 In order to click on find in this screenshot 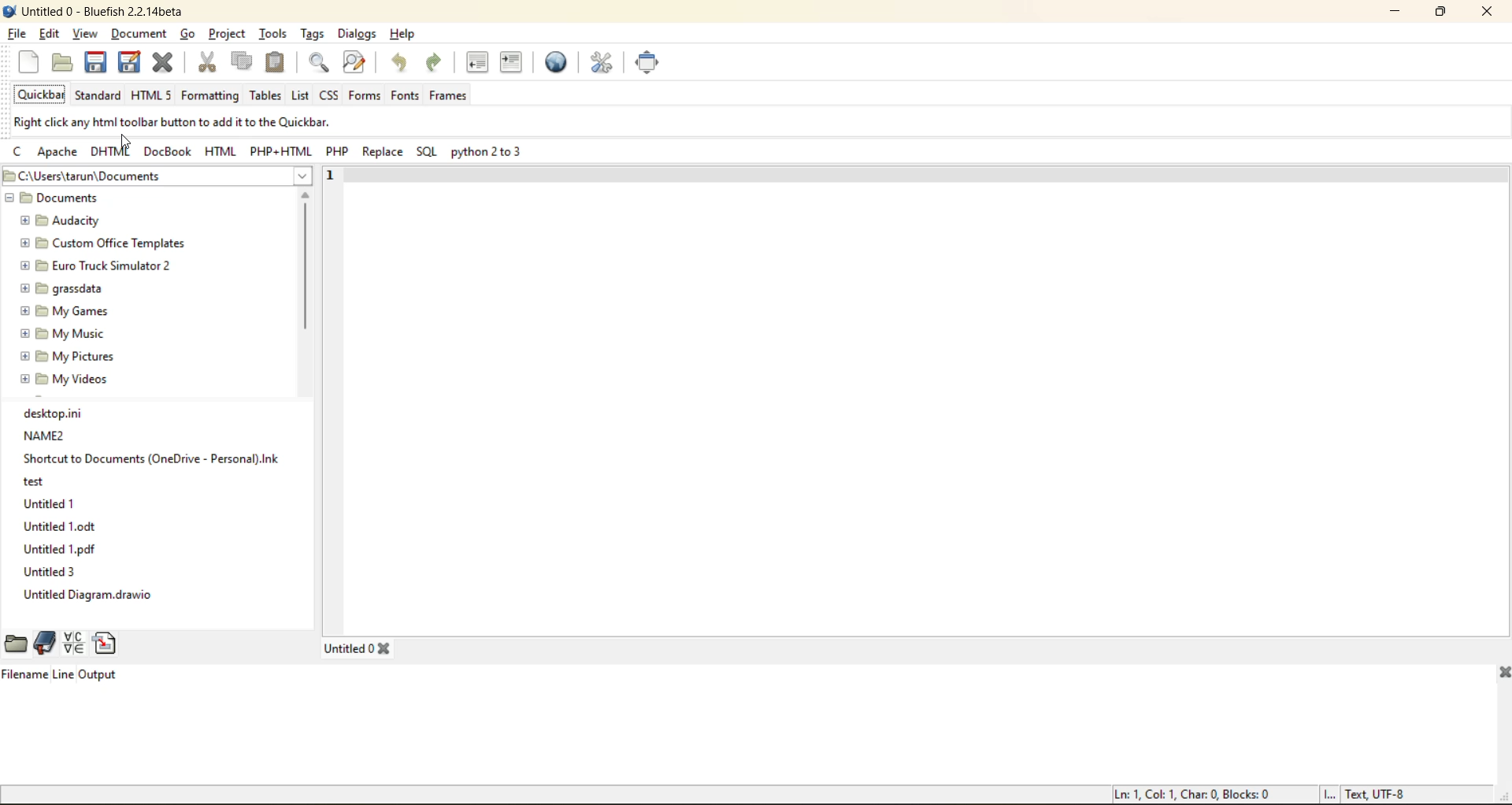, I will do `click(321, 65)`.